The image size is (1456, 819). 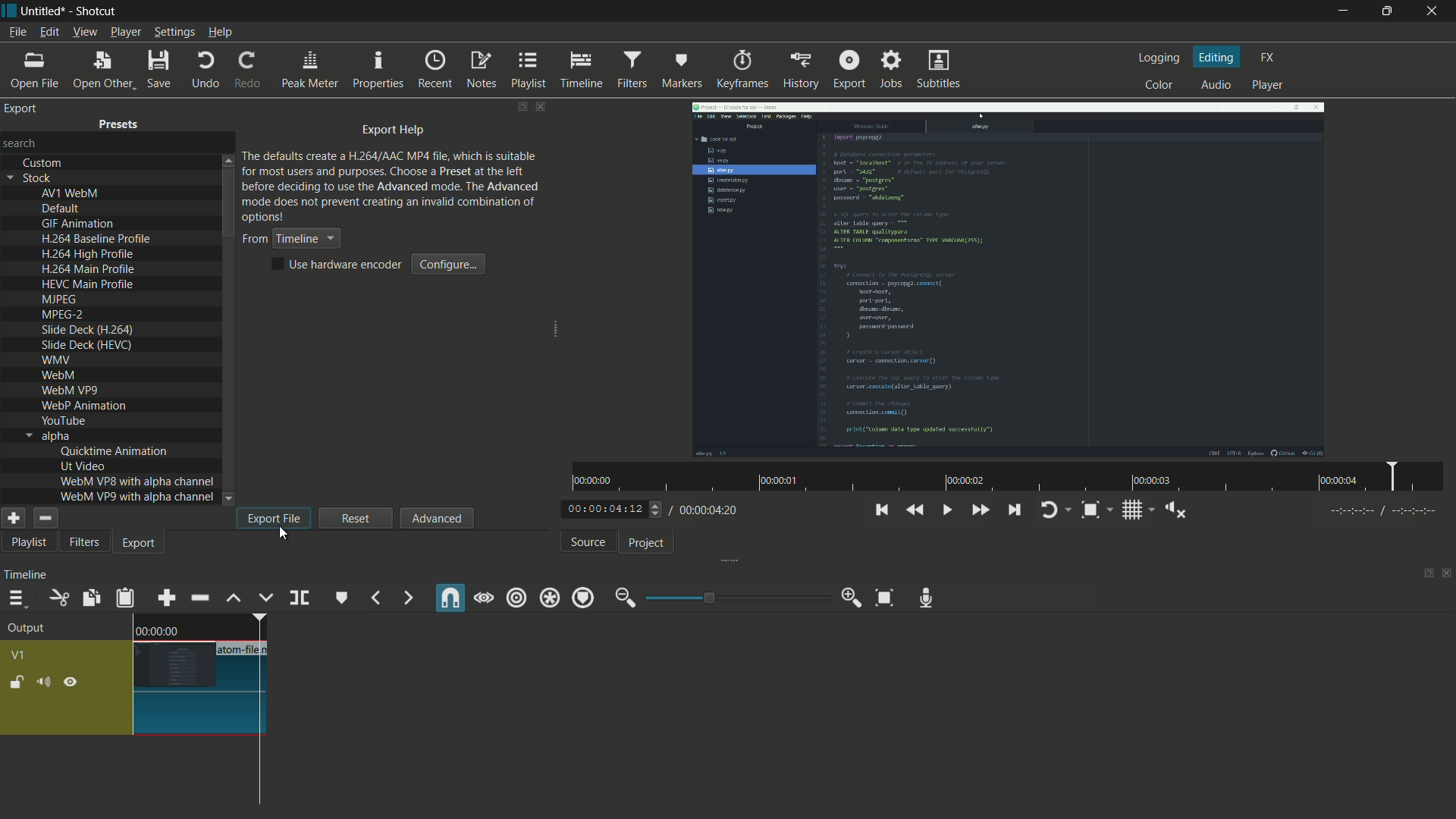 What do you see at coordinates (1423, 574) in the screenshot?
I see `change layout` at bounding box center [1423, 574].